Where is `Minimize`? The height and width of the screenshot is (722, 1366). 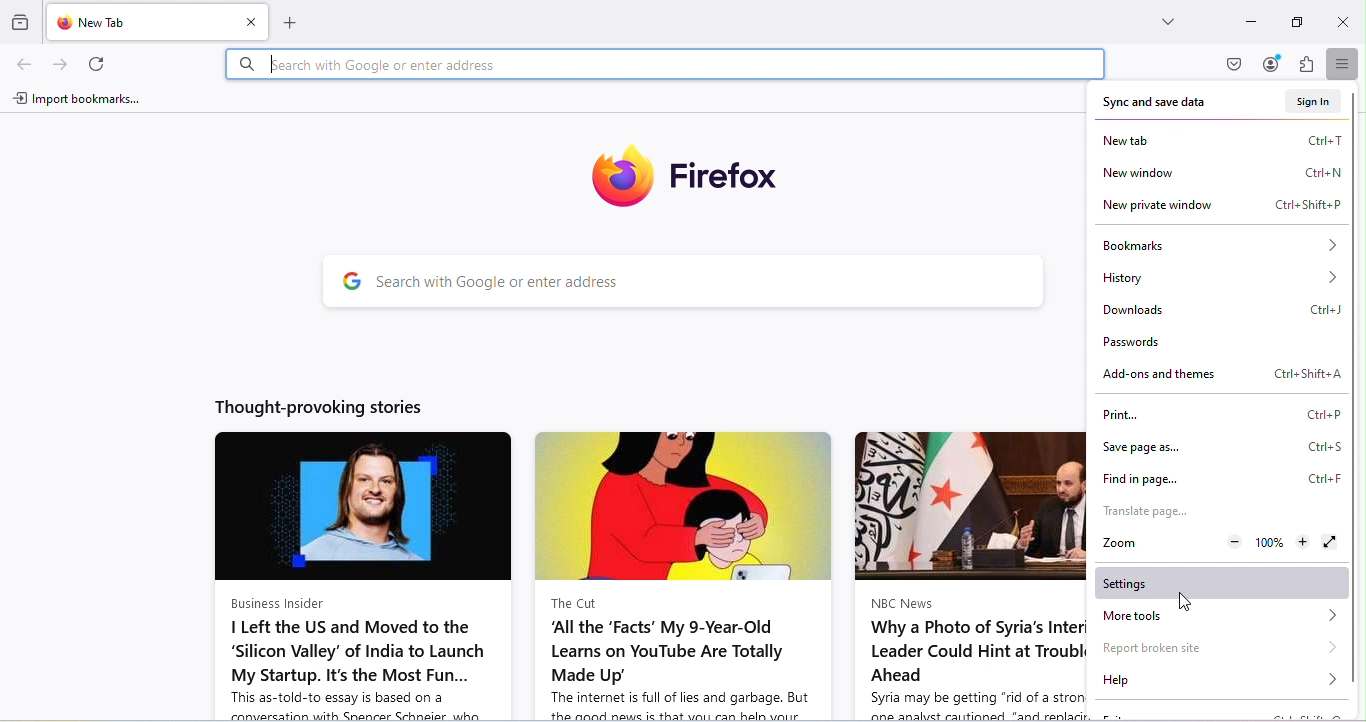
Minimize is located at coordinates (1250, 24).